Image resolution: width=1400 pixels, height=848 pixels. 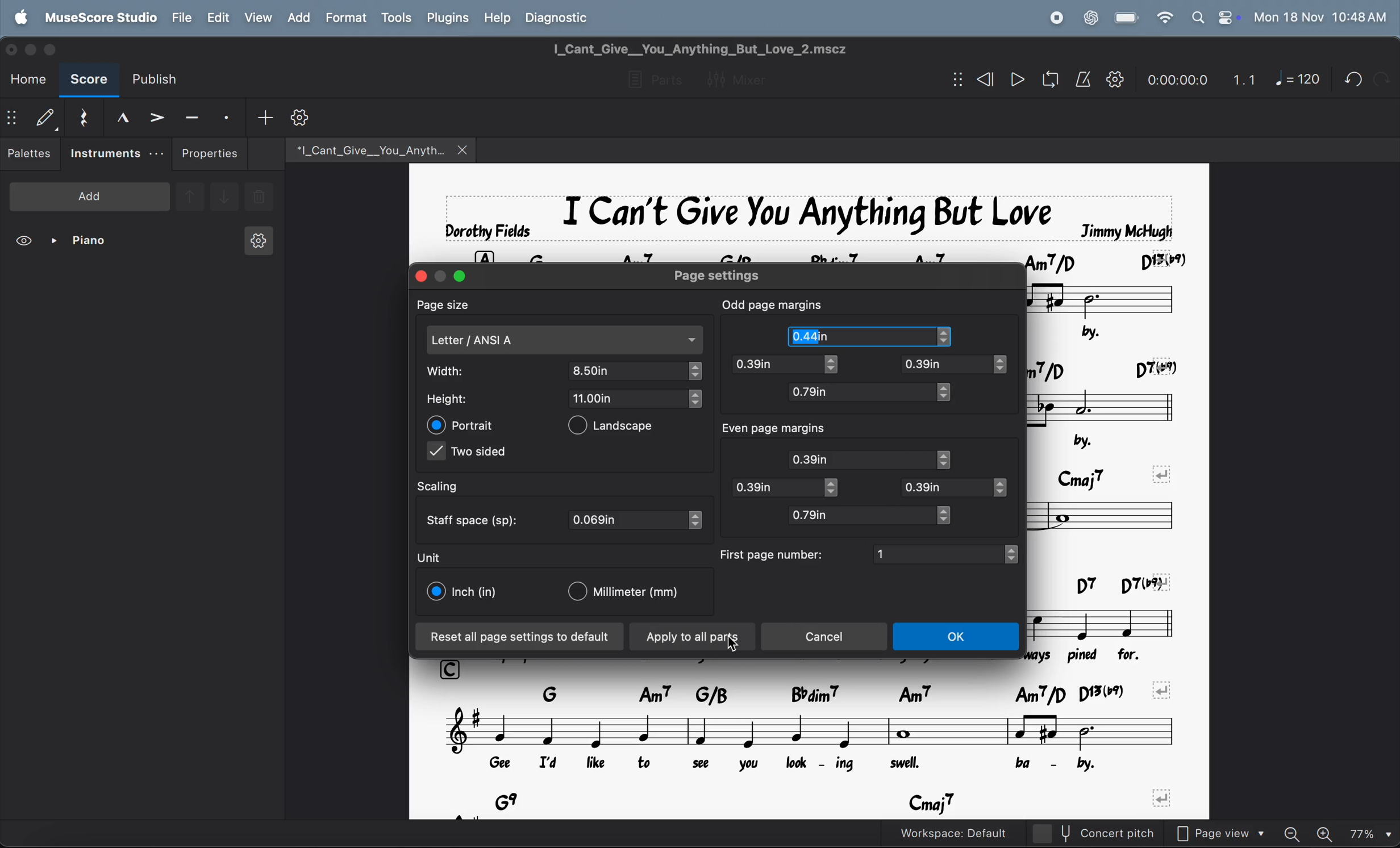 I want to click on 1, so click(x=938, y=553).